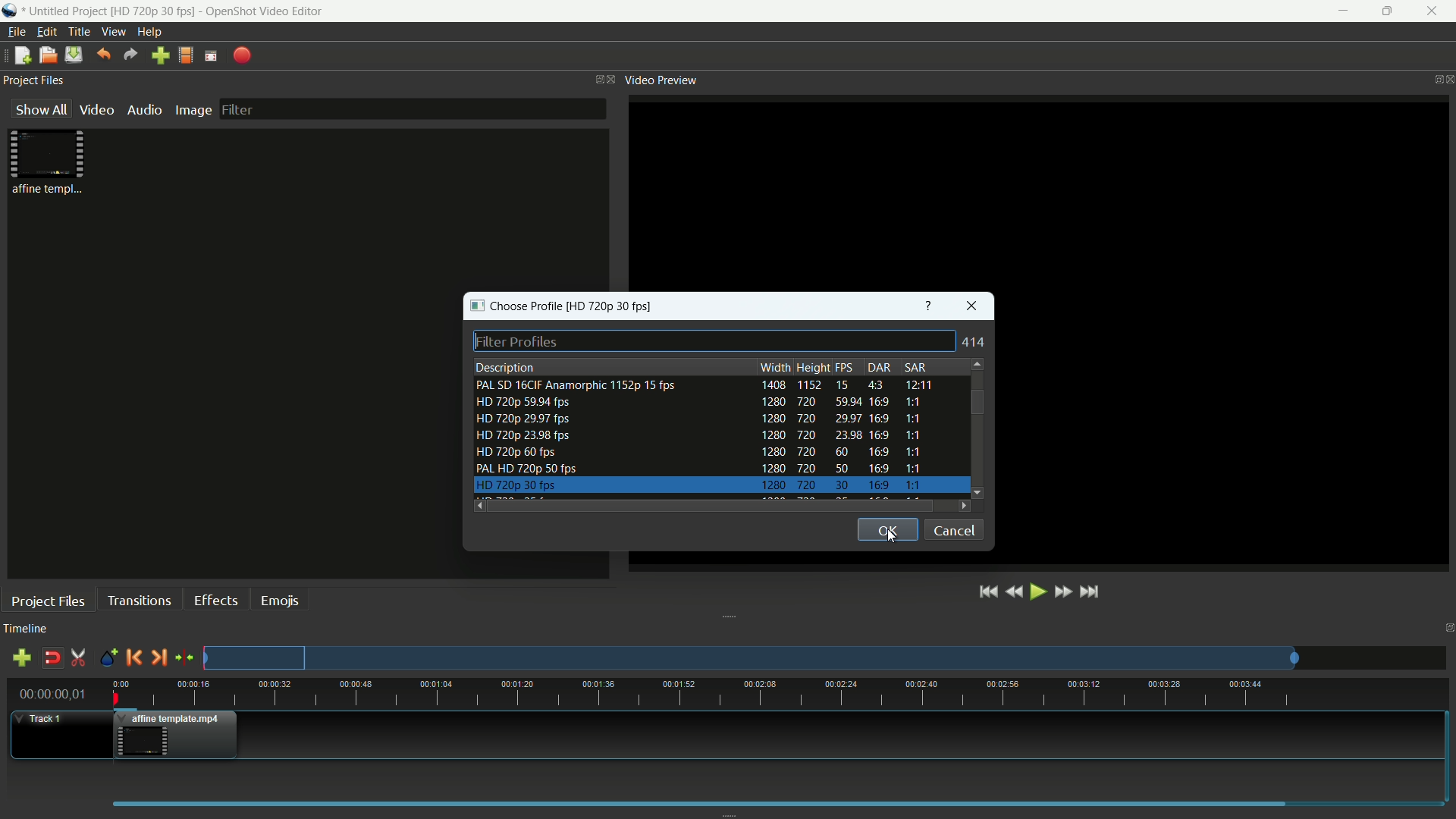 This screenshot has width=1456, height=819. Describe the element at coordinates (987, 593) in the screenshot. I see `jump to start` at that location.